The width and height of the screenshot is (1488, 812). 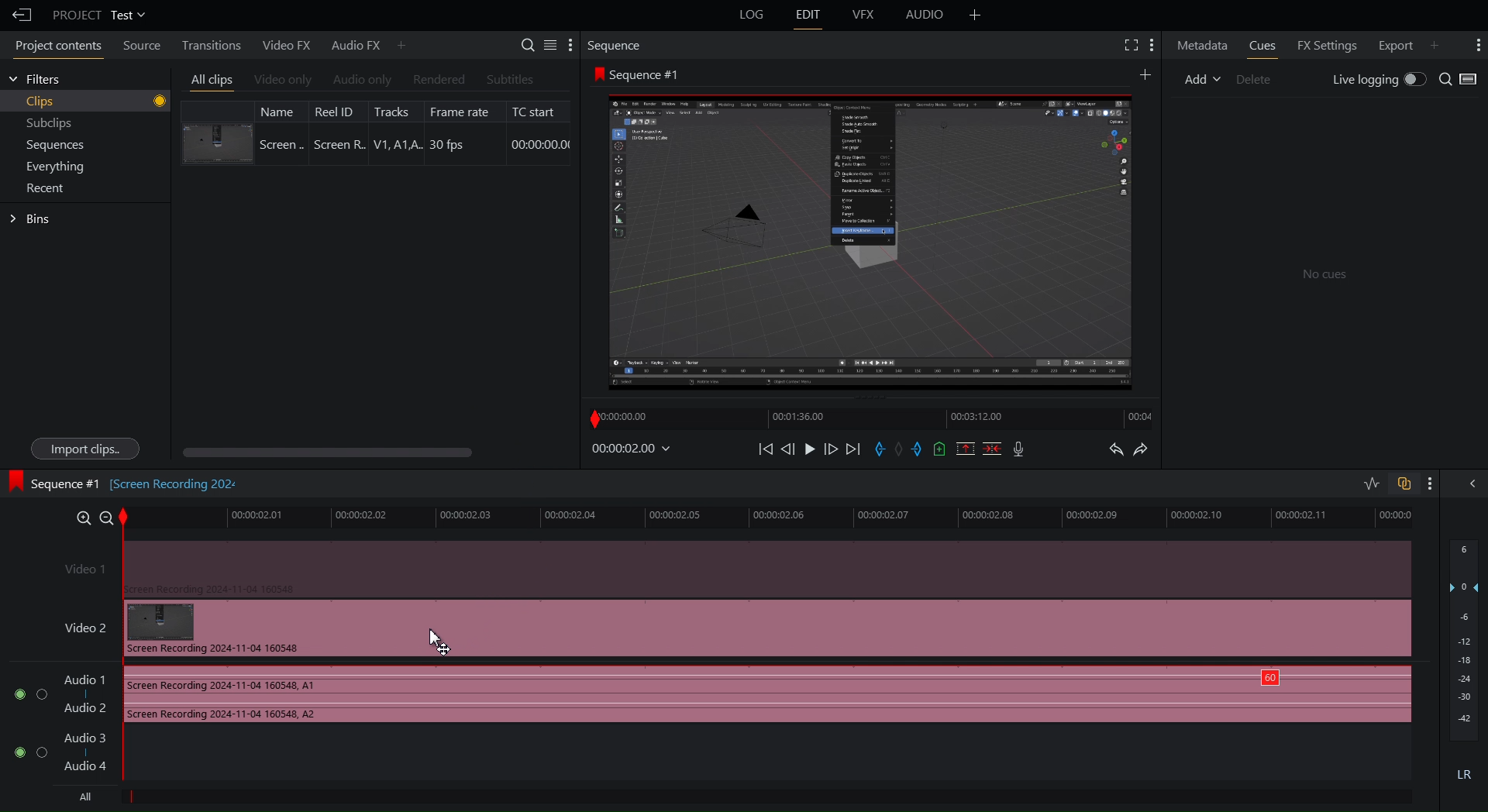 I want to click on Recent, so click(x=49, y=188).